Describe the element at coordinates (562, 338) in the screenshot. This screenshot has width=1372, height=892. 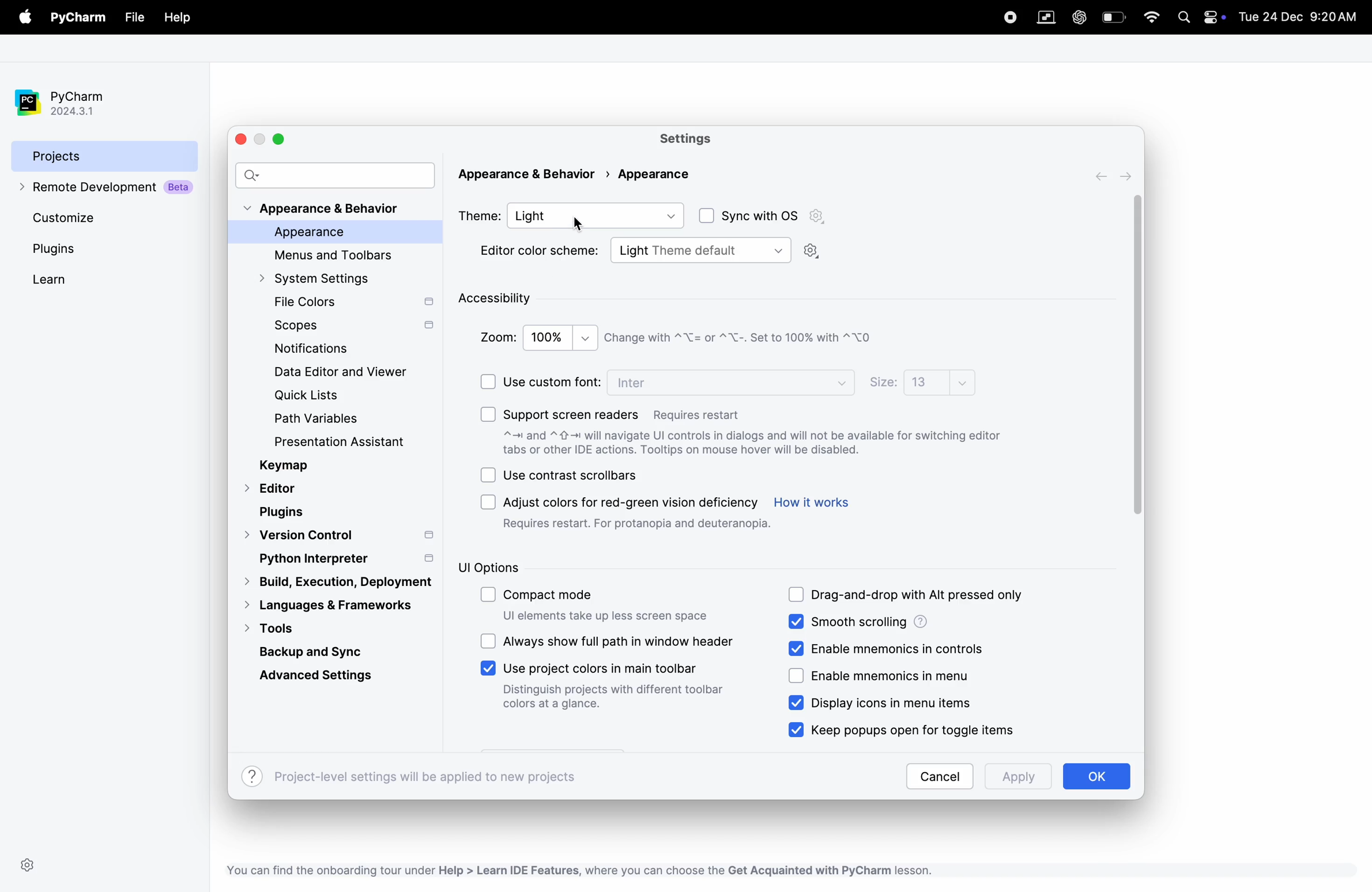
I see `zoom` at that location.